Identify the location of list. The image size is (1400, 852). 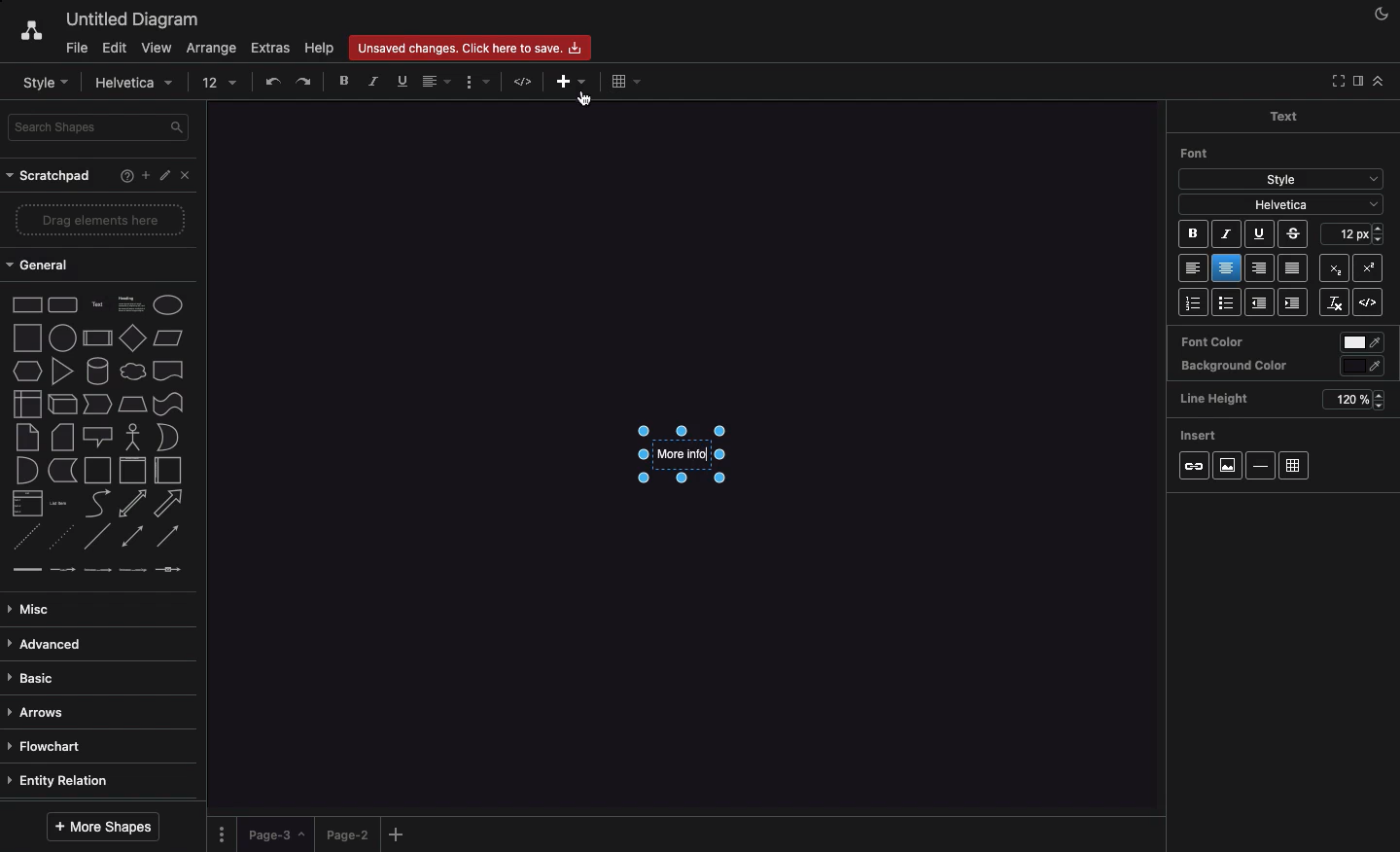
(28, 503).